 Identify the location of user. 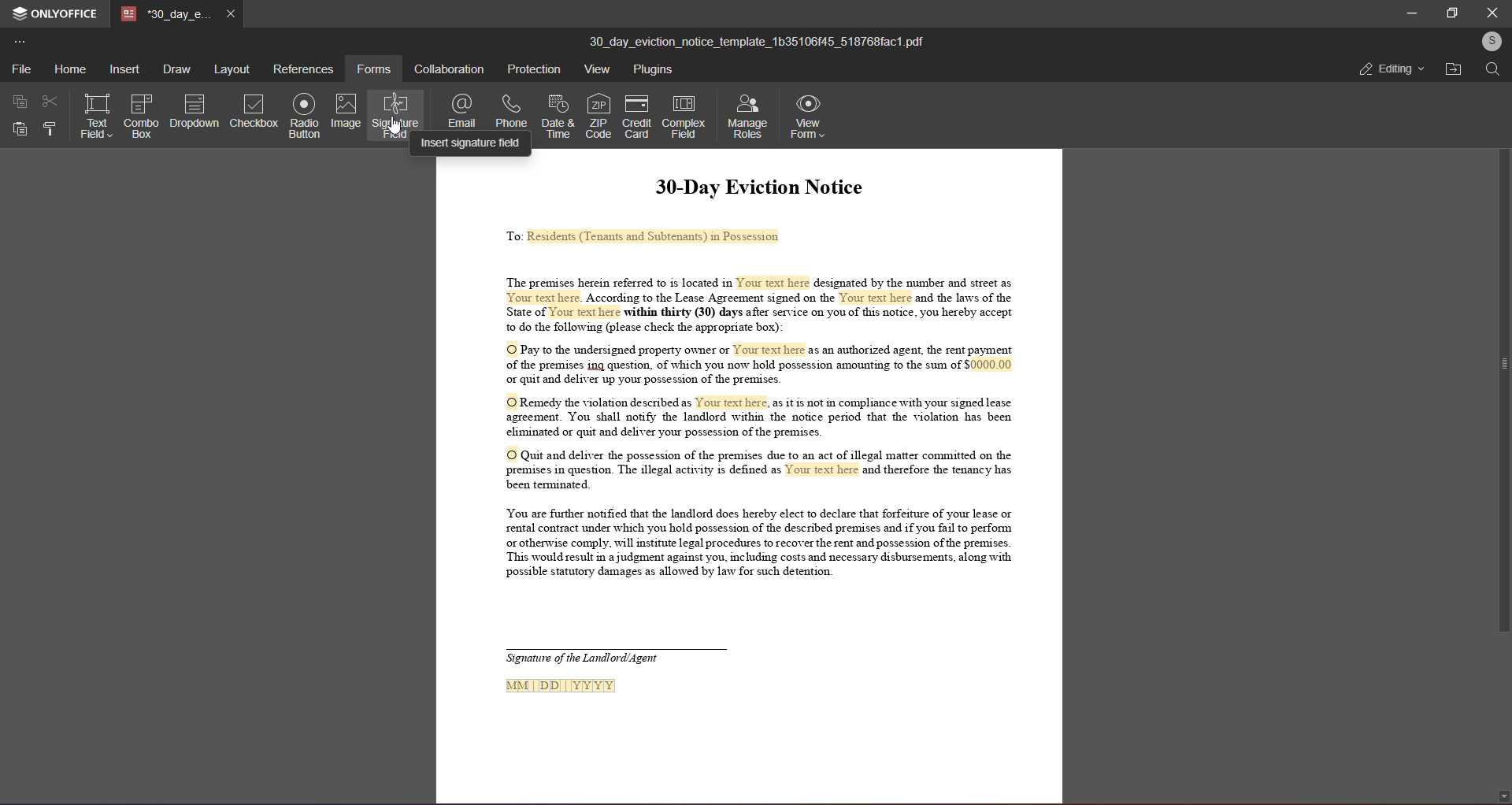
(1491, 41).